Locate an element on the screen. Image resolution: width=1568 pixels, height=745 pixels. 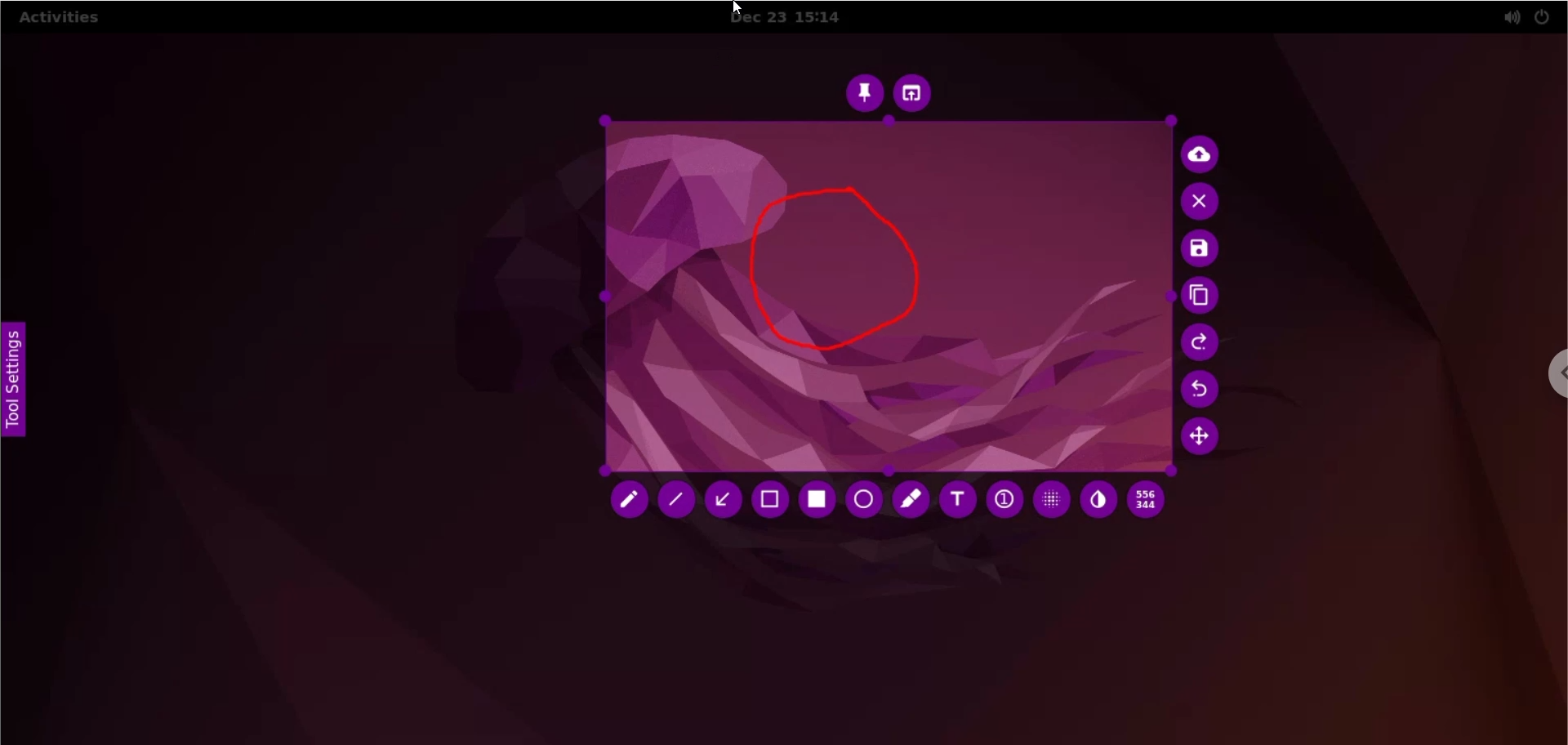
arrow is located at coordinates (727, 499).